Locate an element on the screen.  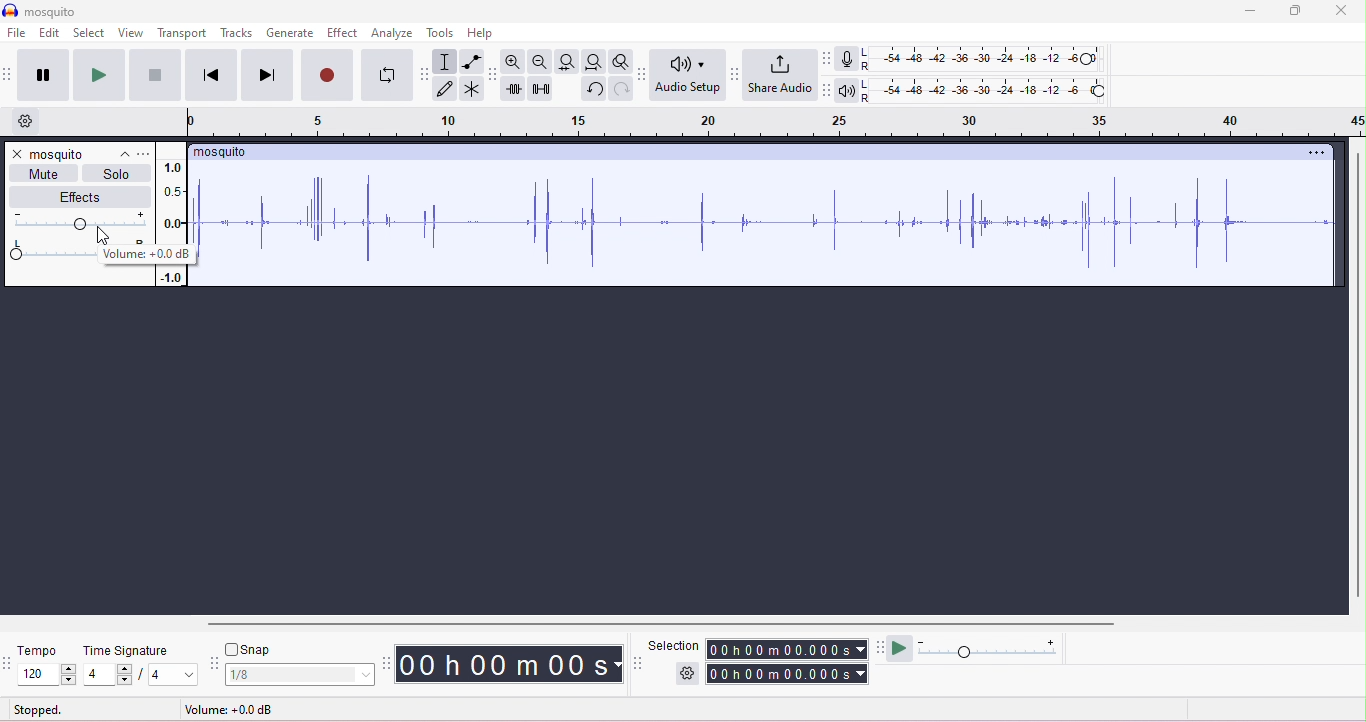
edit is located at coordinates (47, 32).